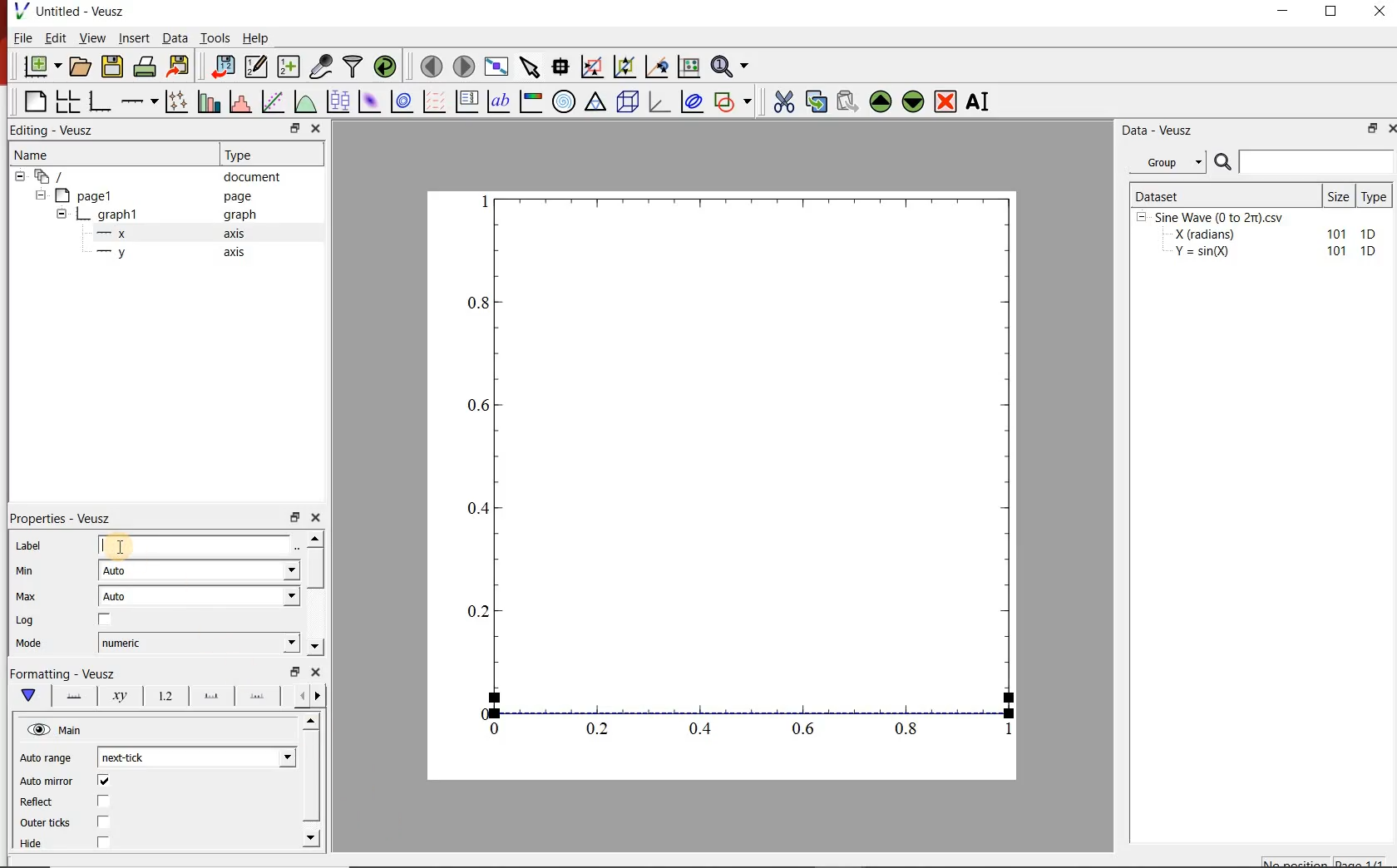 This screenshot has width=1397, height=868. Describe the element at coordinates (531, 65) in the screenshot. I see `select item from graph` at that location.